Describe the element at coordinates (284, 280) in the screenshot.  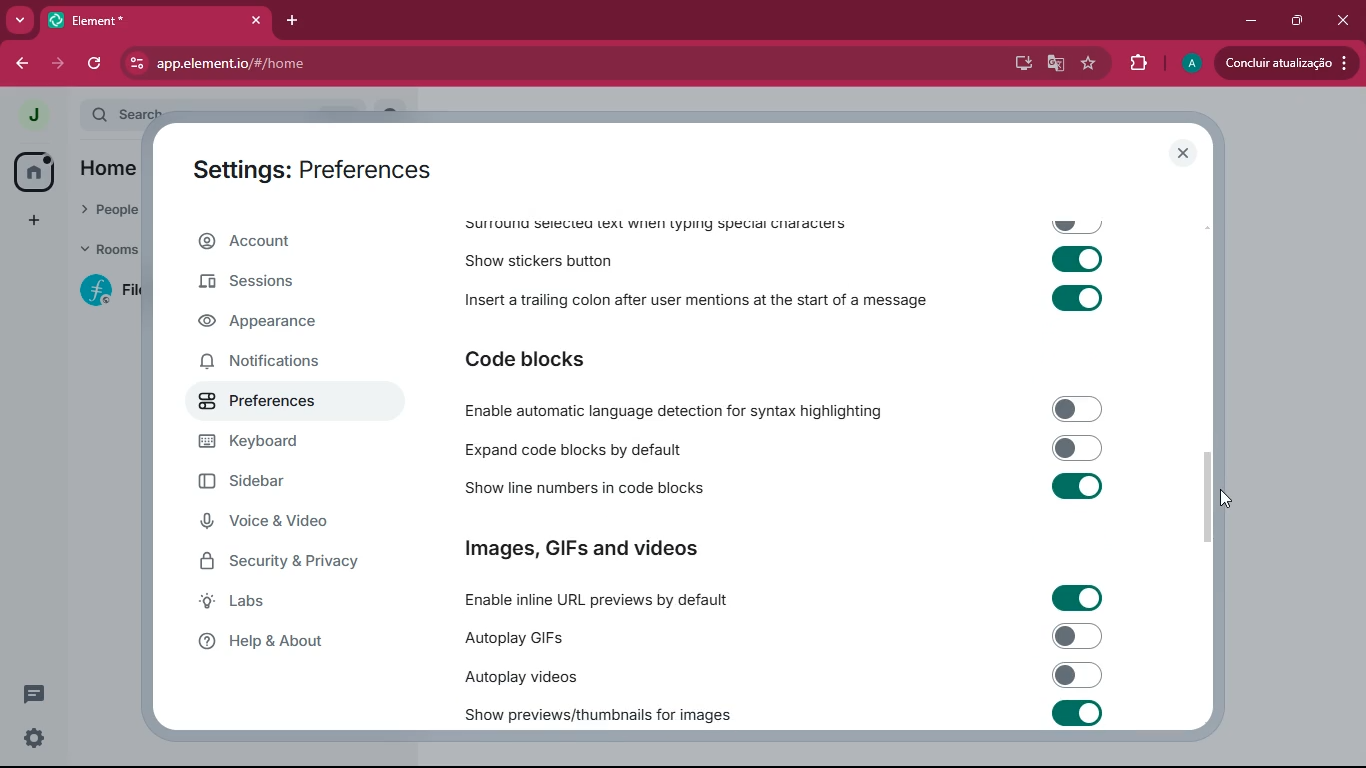
I see `sessions` at that location.